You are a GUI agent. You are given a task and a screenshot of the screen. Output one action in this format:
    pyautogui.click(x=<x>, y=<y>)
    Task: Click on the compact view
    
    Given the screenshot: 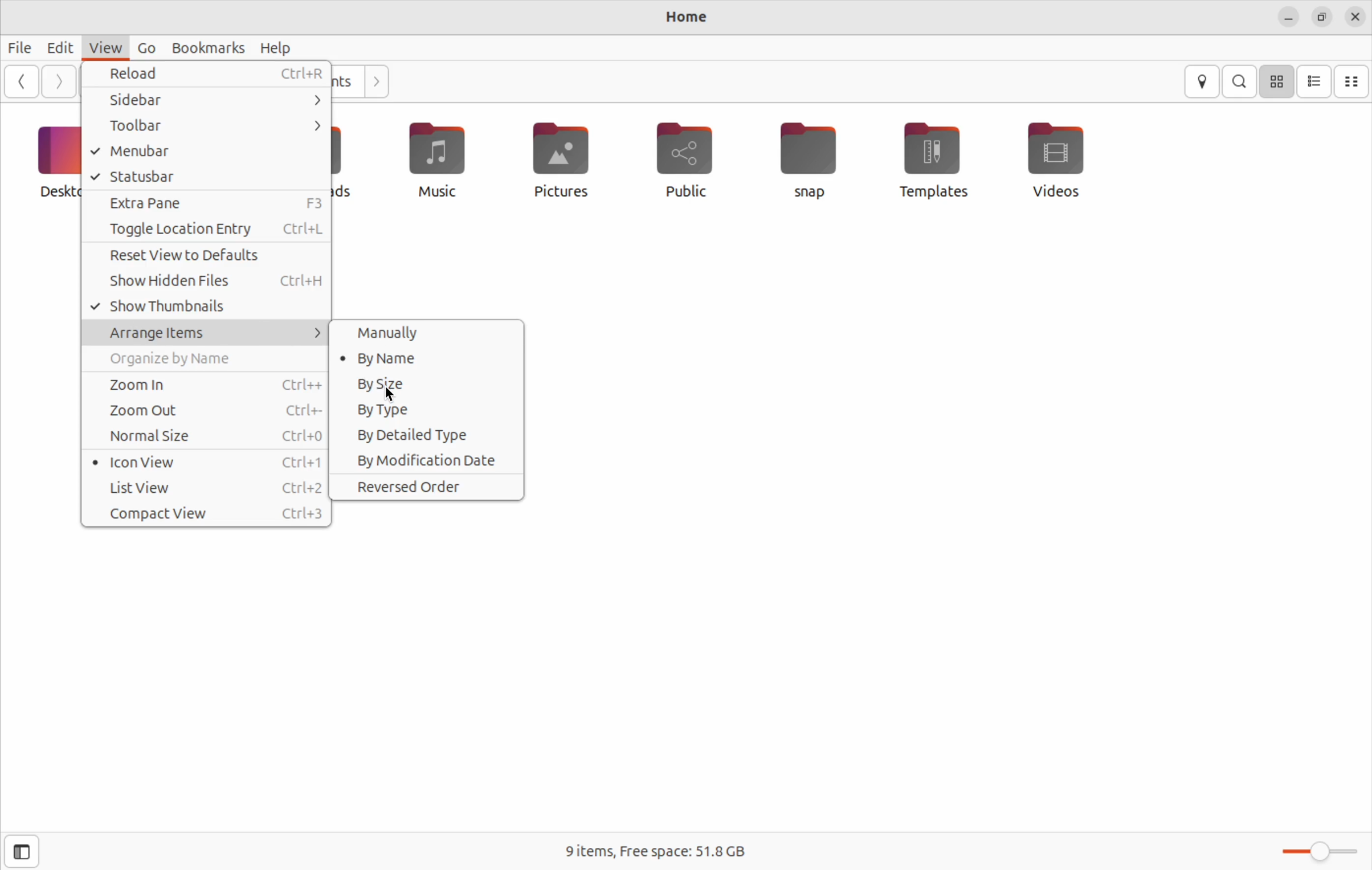 What is the action you would take?
    pyautogui.click(x=1353, y=80)
    